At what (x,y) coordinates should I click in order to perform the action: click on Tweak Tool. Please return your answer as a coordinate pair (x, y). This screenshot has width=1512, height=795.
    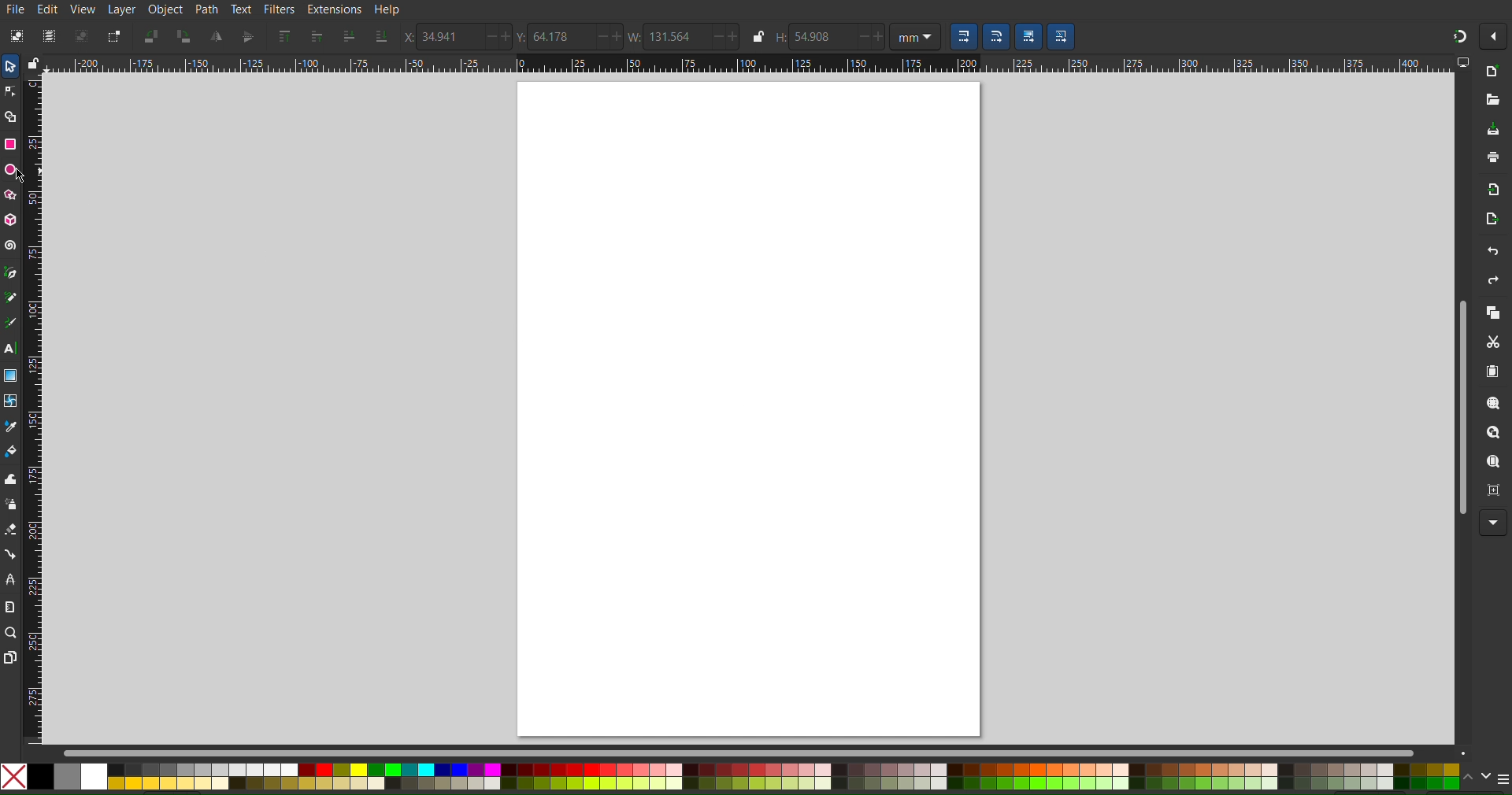
    Looking at the image, I should click on (10, 480).